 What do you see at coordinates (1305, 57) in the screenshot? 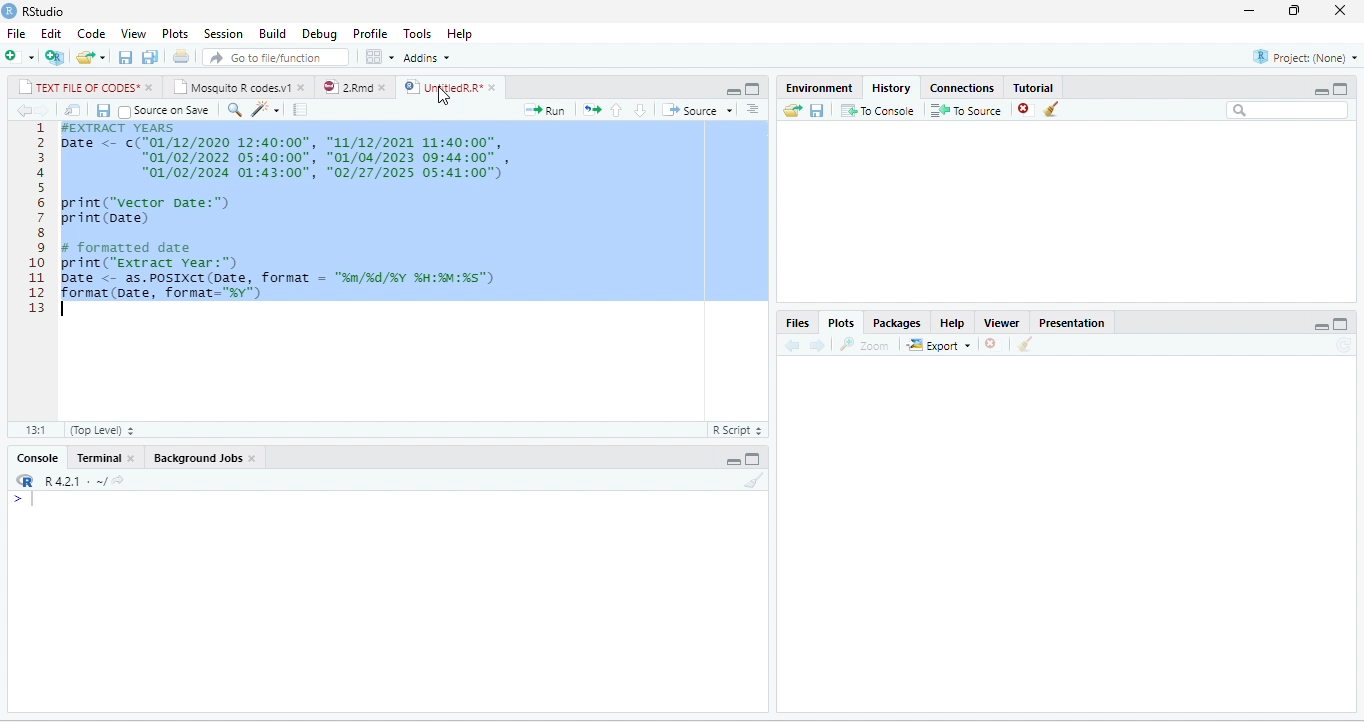
I see `Project(None)` at bounding box center [1305, 57].